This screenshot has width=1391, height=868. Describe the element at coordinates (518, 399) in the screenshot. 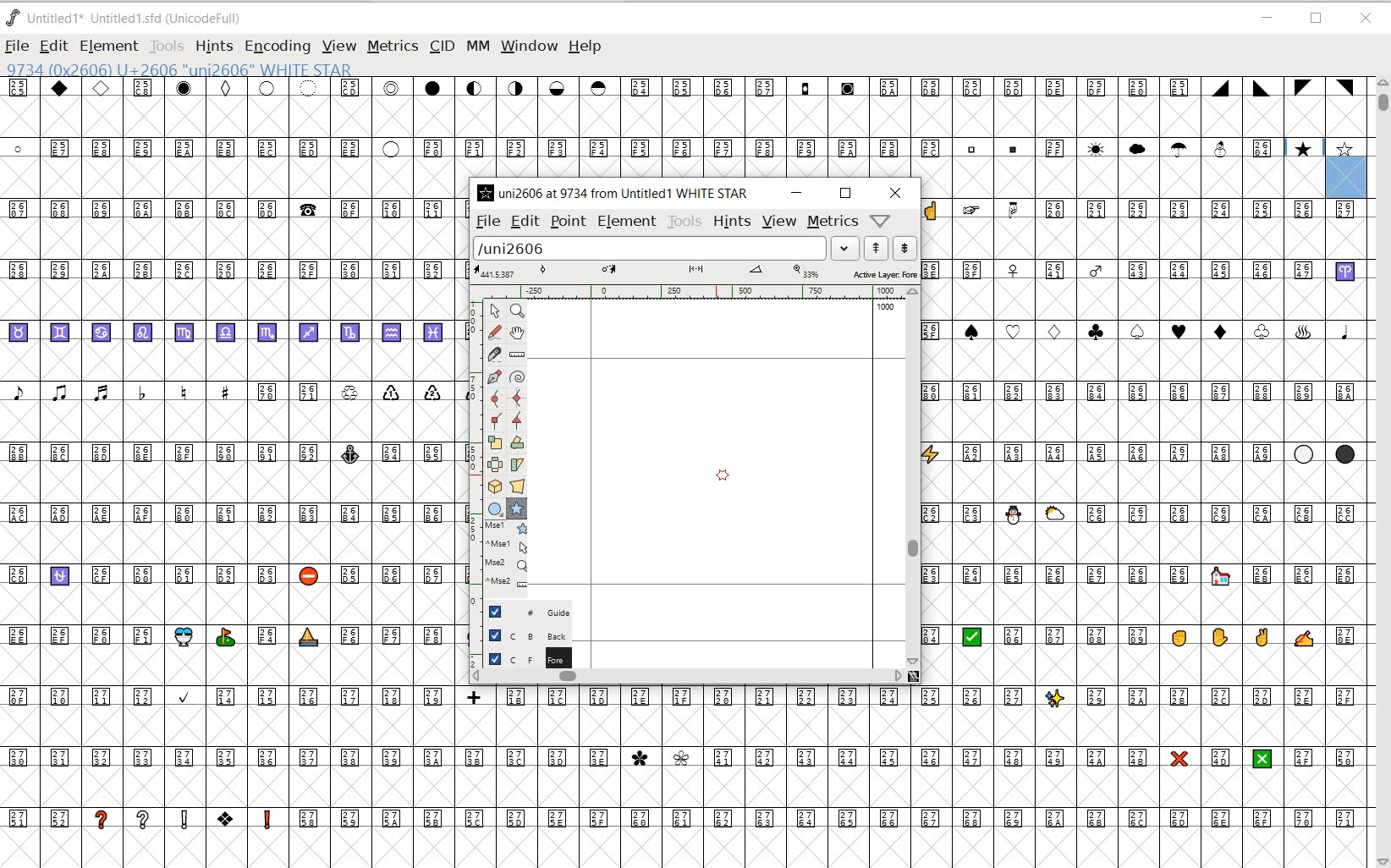

I see `ADD CURVE POINT` at that location.